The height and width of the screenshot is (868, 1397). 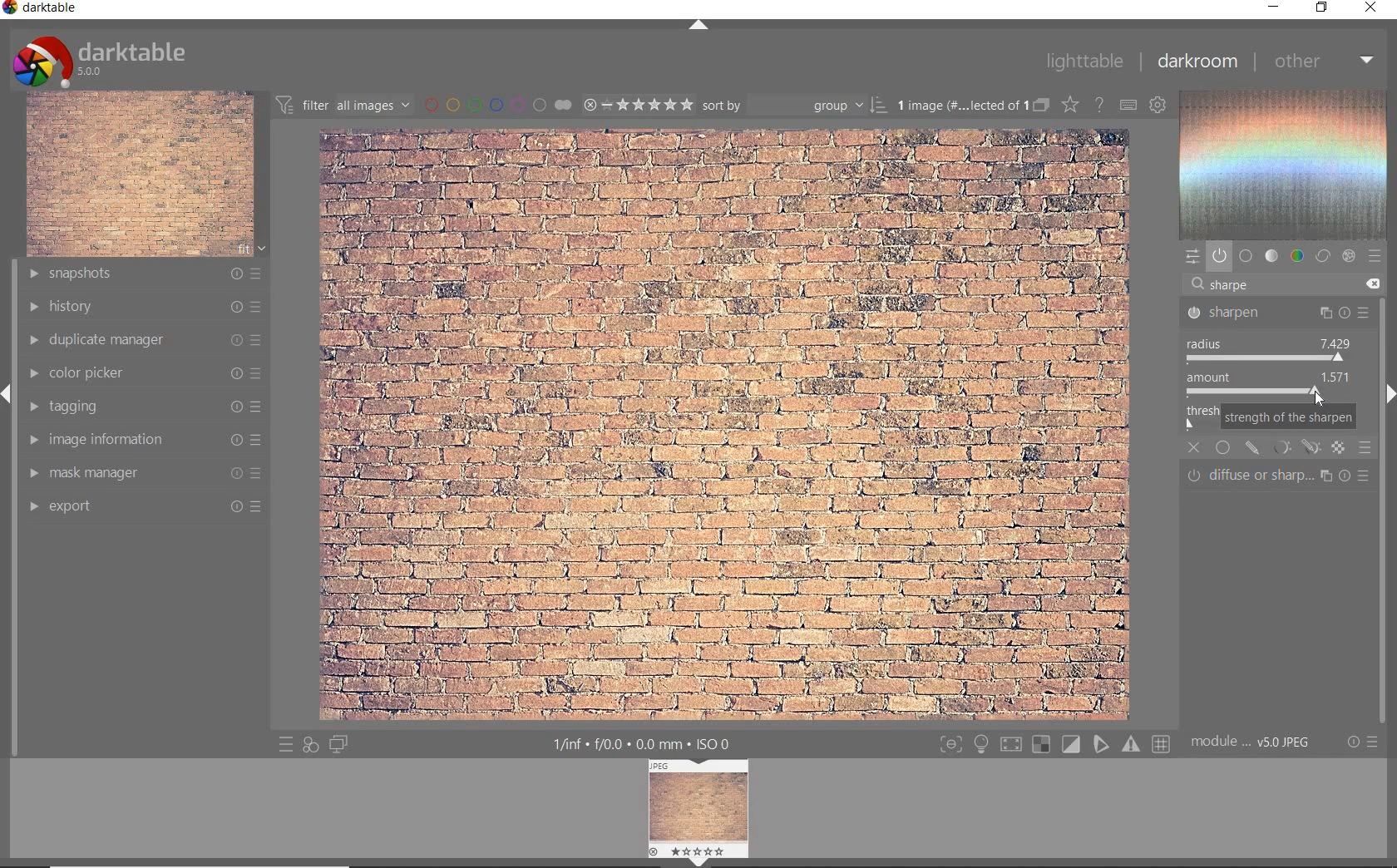 What do you see at coordinates (1069, 104) in the screenshot?
I see `change type of overlay` at bounding box center [1069, 104].